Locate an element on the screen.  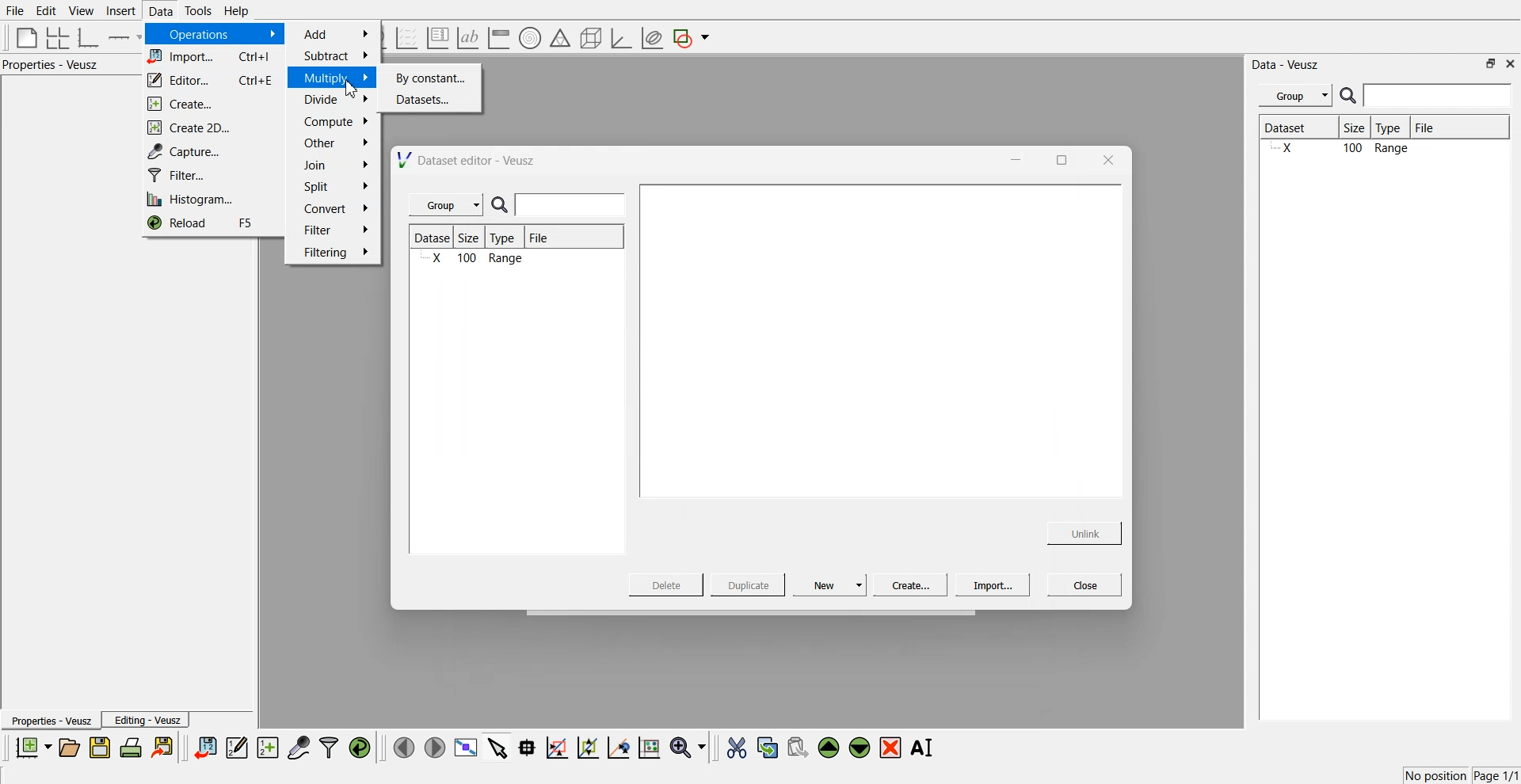
Delete is located at coordinates (668, 584).